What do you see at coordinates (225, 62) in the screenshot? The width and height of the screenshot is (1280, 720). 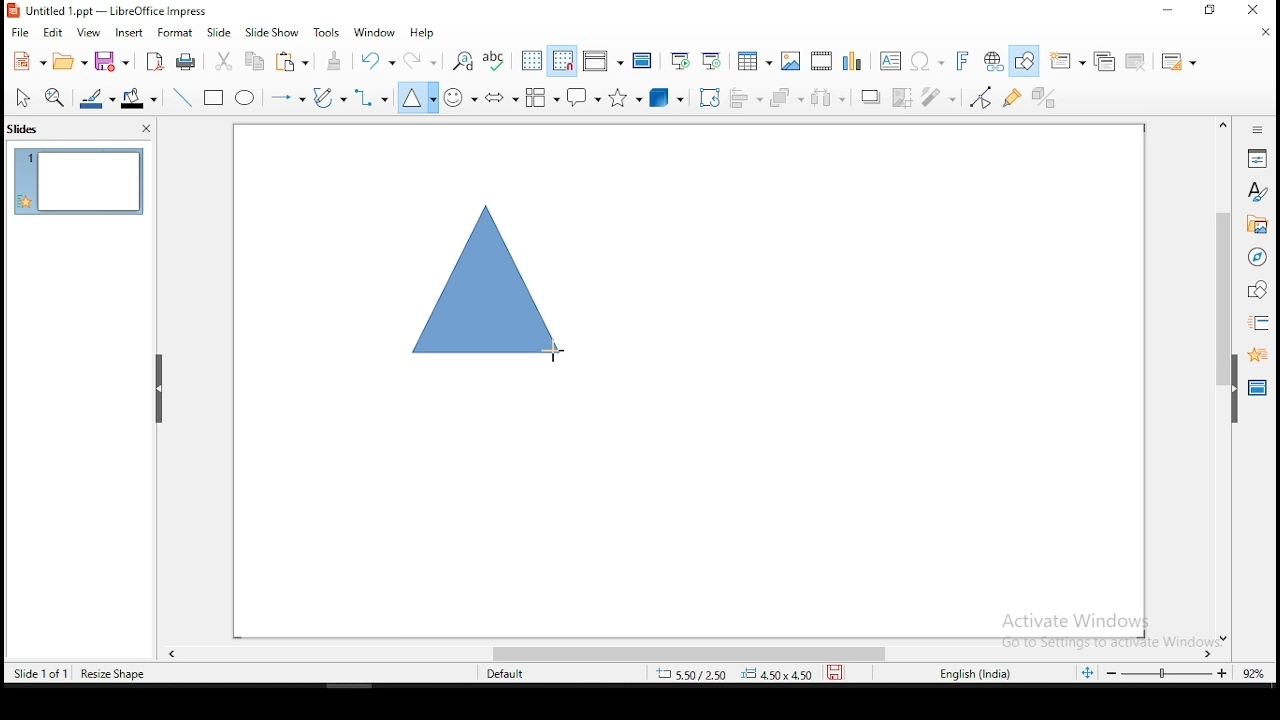 I see `cut` at bounding box center [225, 62].